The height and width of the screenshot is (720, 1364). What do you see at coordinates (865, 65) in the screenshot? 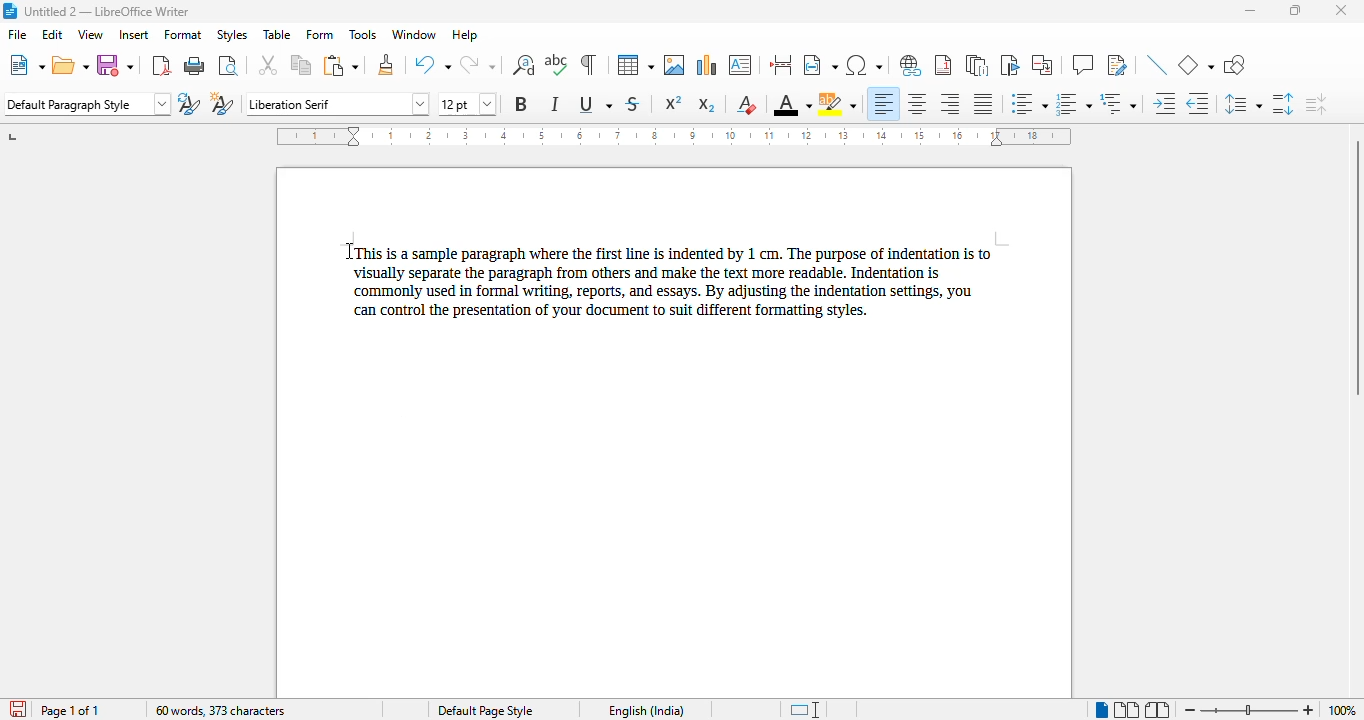
I see `insert special characters` at bounding box center [865, 65].